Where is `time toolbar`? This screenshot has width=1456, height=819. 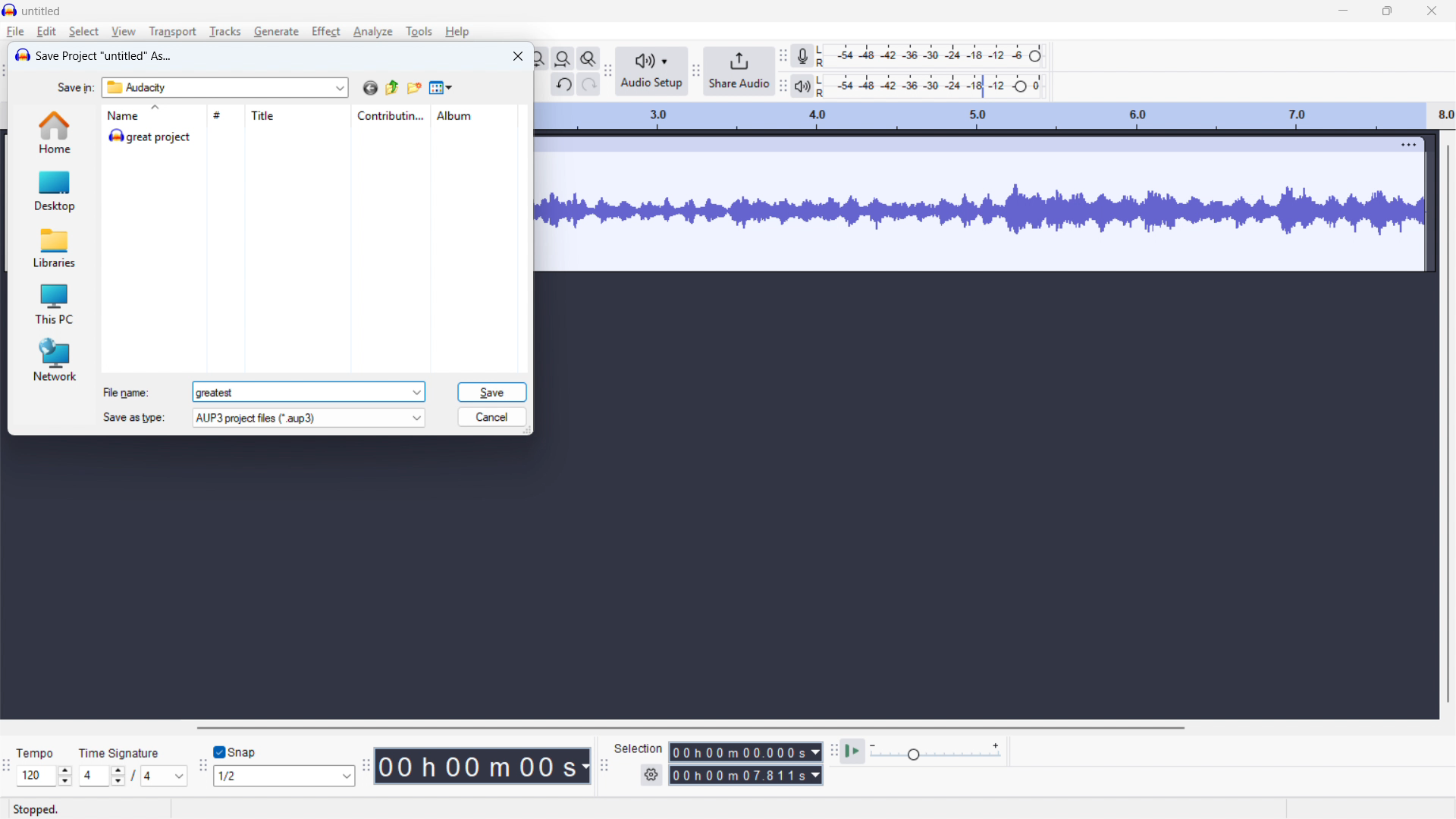 time toolbar is located at coordinates (365, 766).